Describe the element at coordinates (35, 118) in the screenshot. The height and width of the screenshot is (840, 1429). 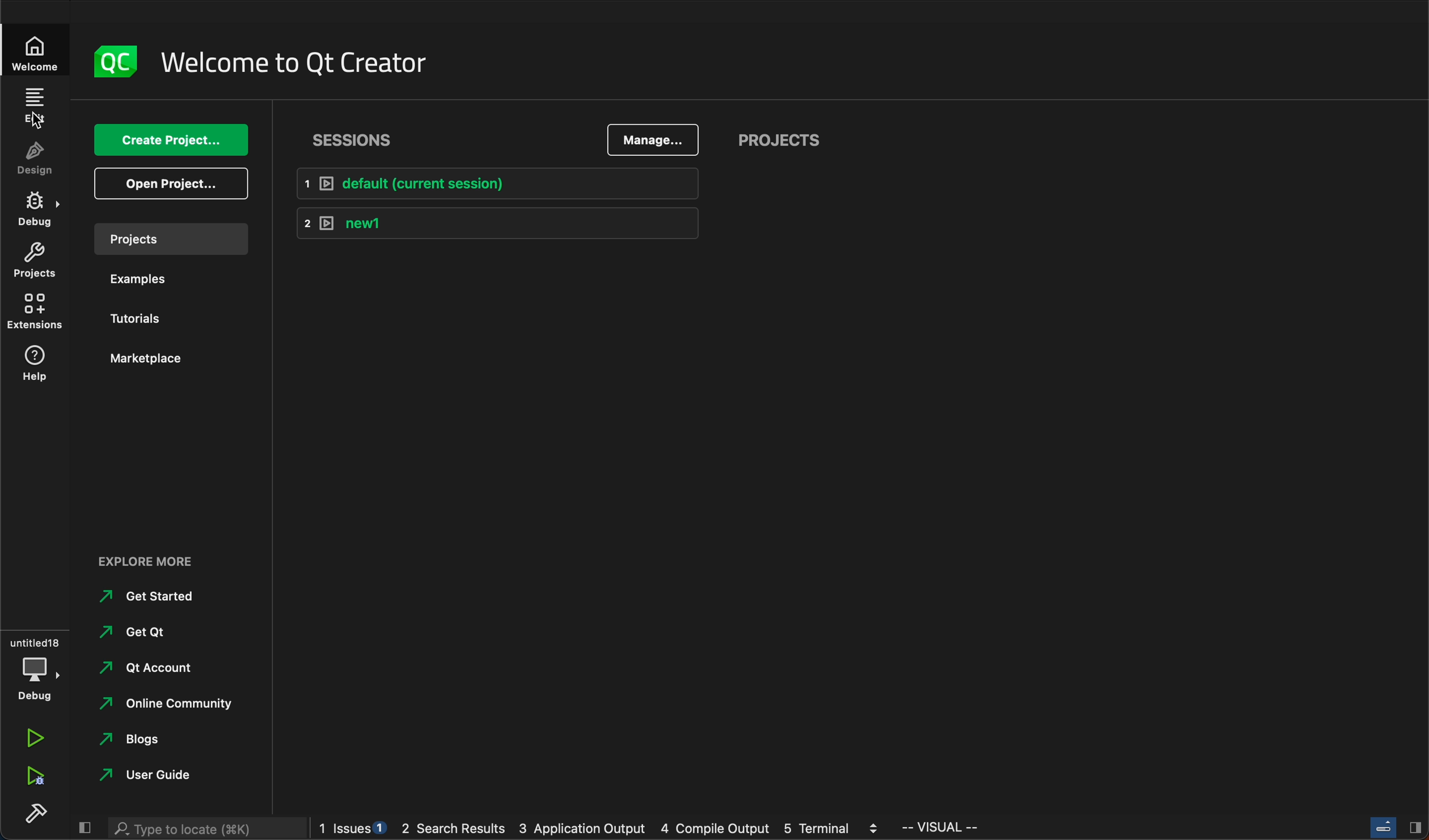
I see `cursor` at that location.